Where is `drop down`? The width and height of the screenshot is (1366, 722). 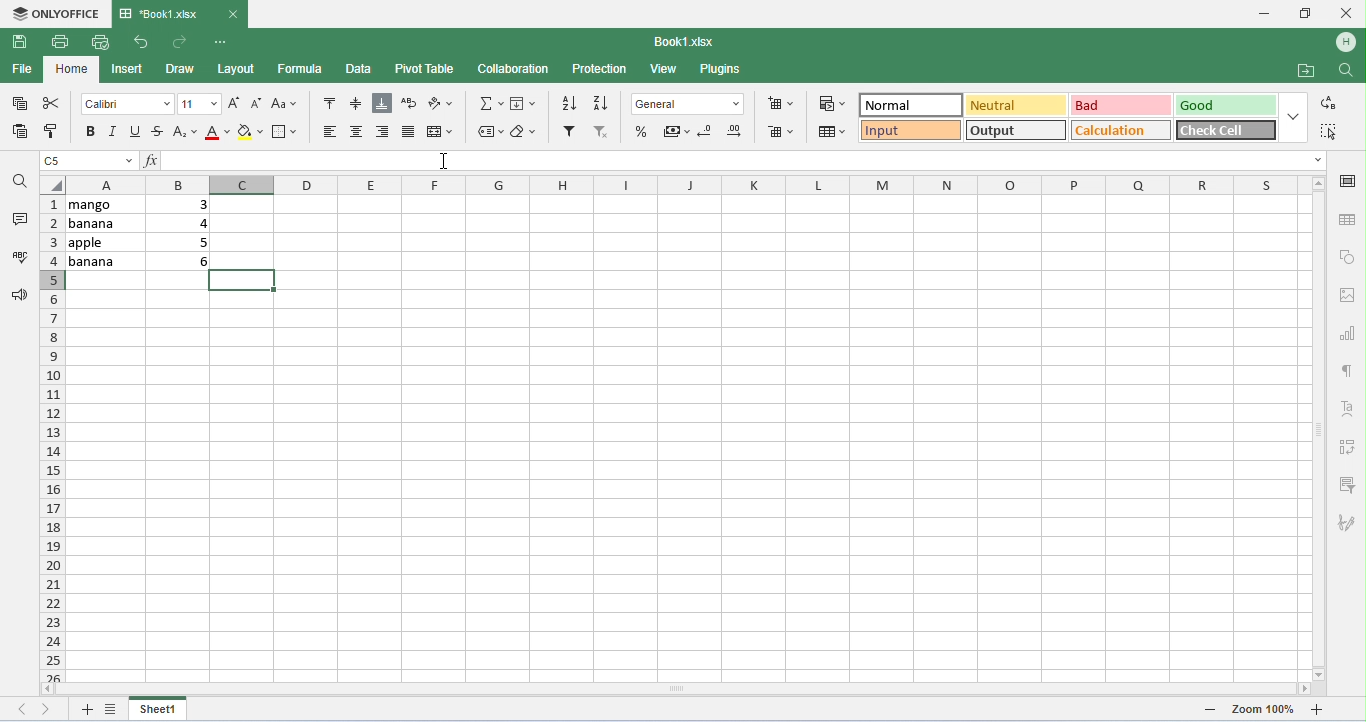 drop down is located at coordinates (1291, 117).